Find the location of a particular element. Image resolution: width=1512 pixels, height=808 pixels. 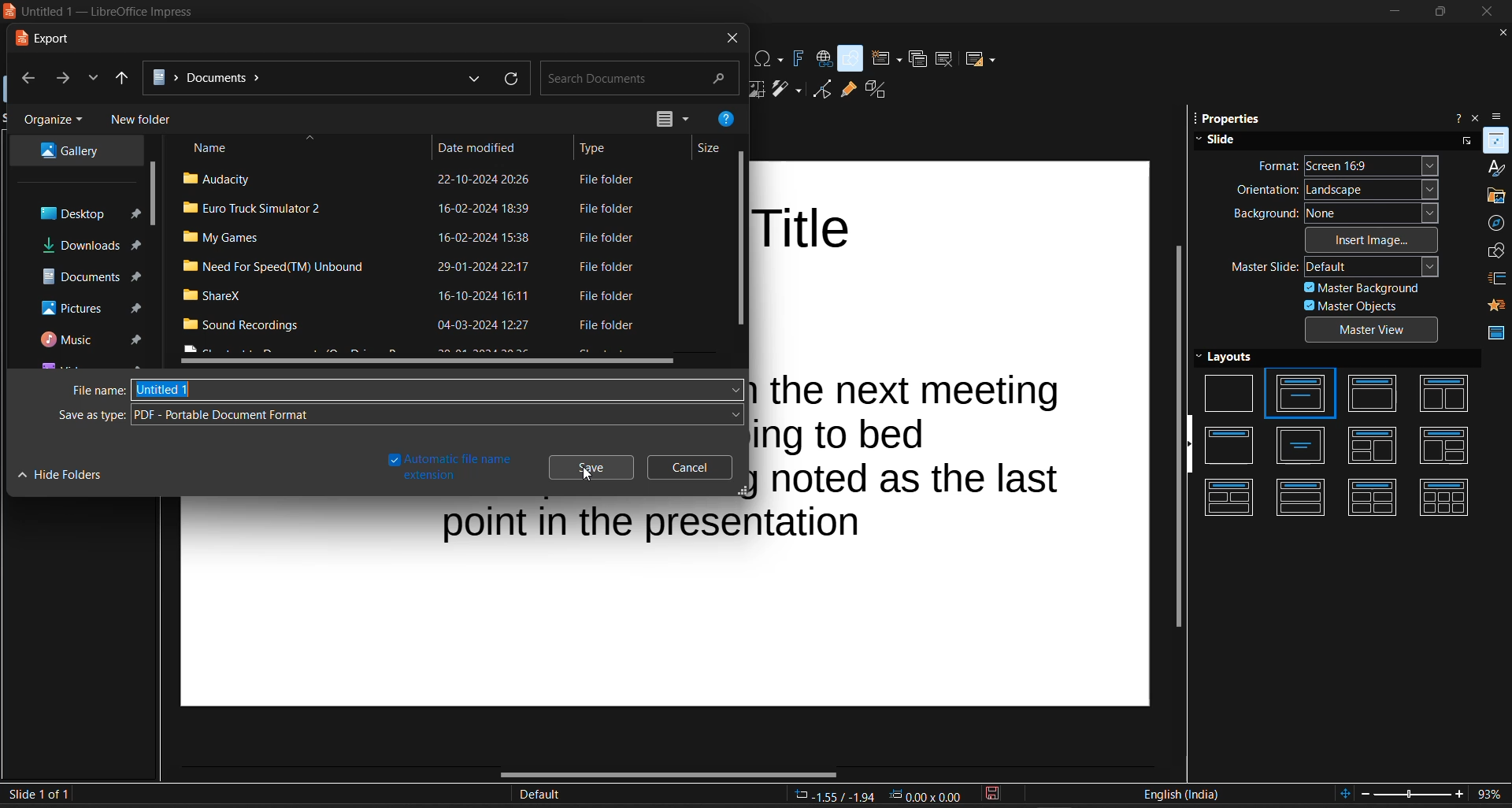

Desktop is located at coordinates (85, 215).